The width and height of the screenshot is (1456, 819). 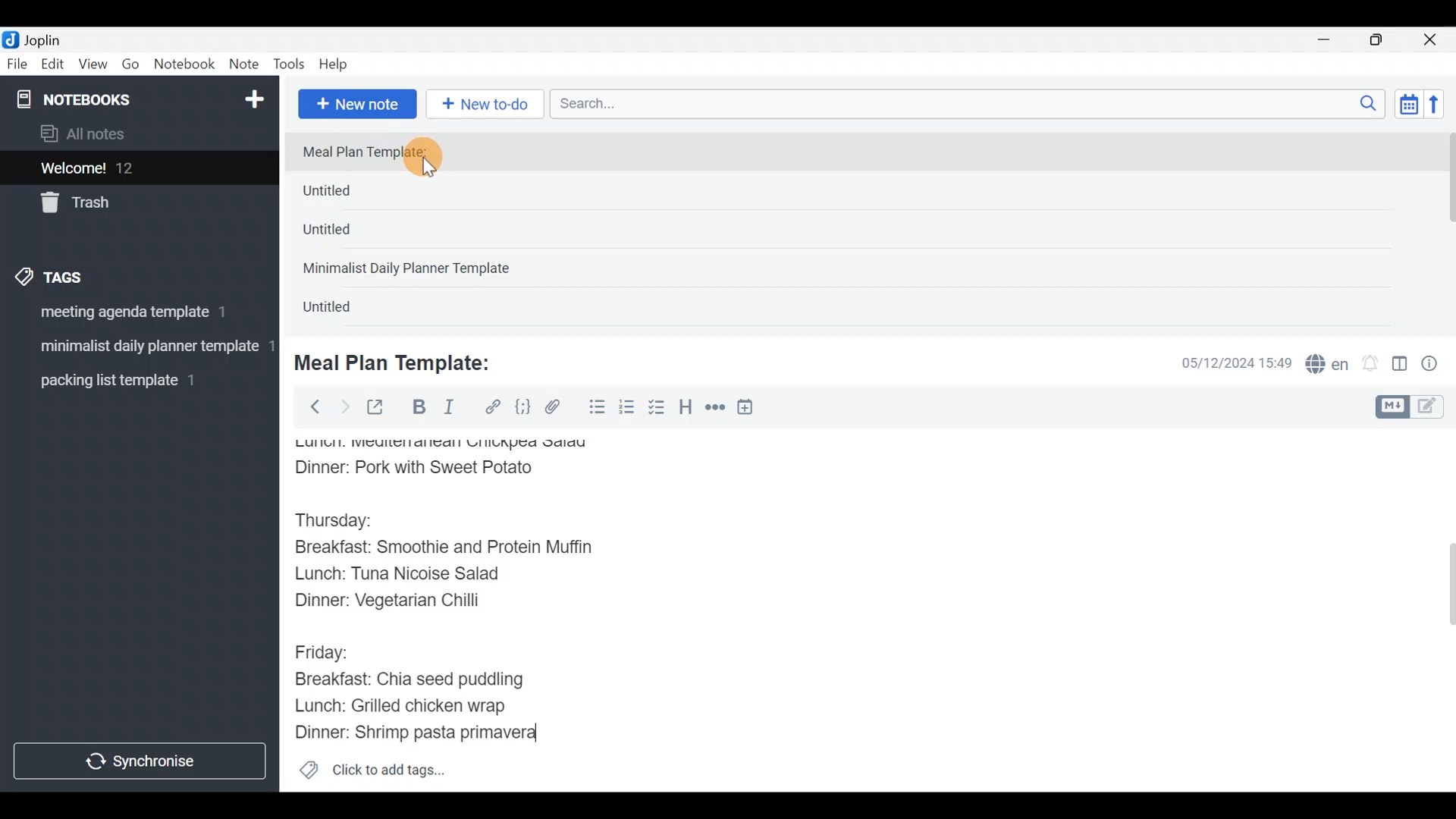 What do you see at coordinates (557, 409) in the screenshot?
I see `Attach file` at bounding box center [557, 409].